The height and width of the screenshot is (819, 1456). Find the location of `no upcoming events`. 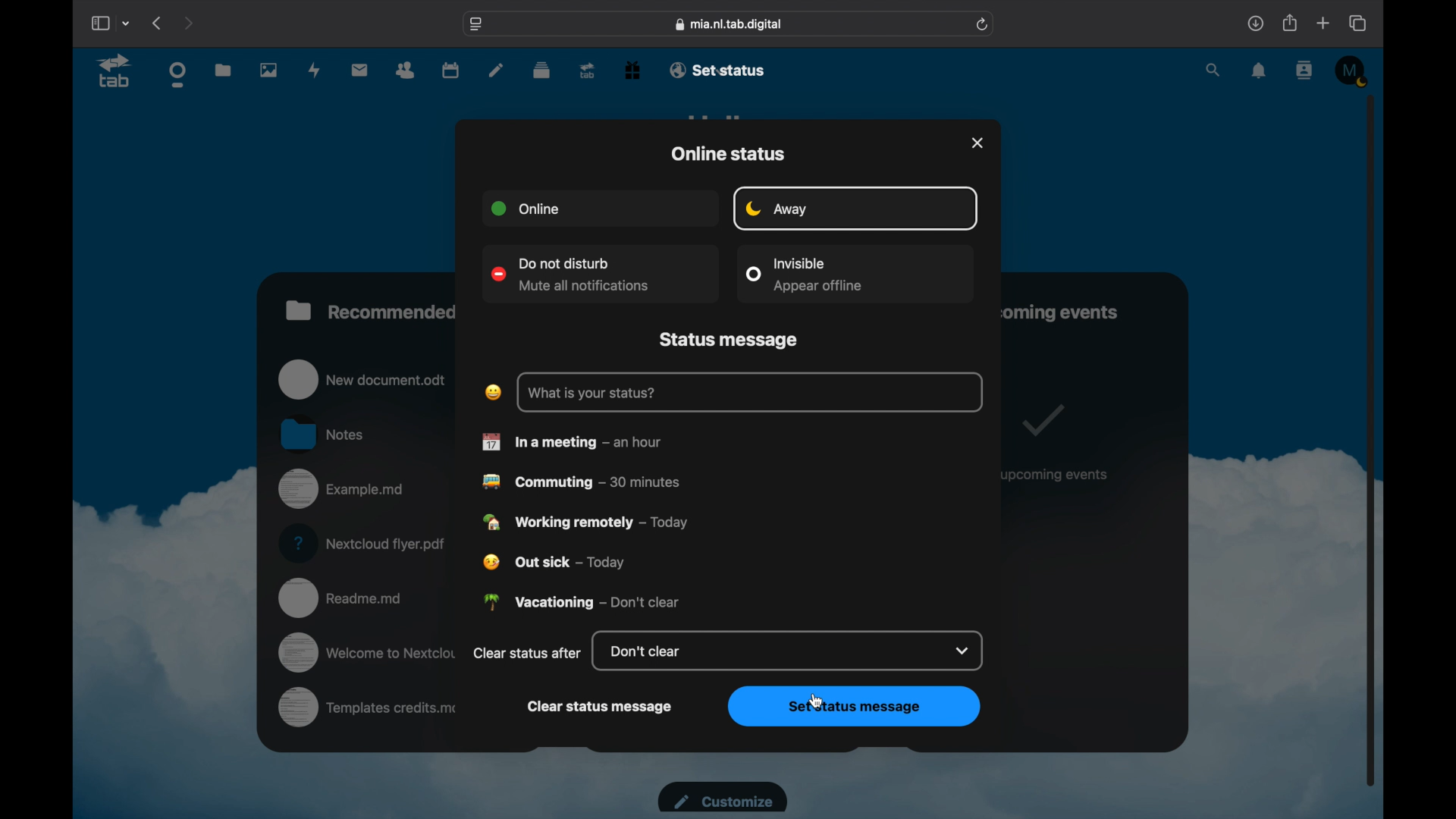

no upcoming events is located at coordinates (1055, 475).